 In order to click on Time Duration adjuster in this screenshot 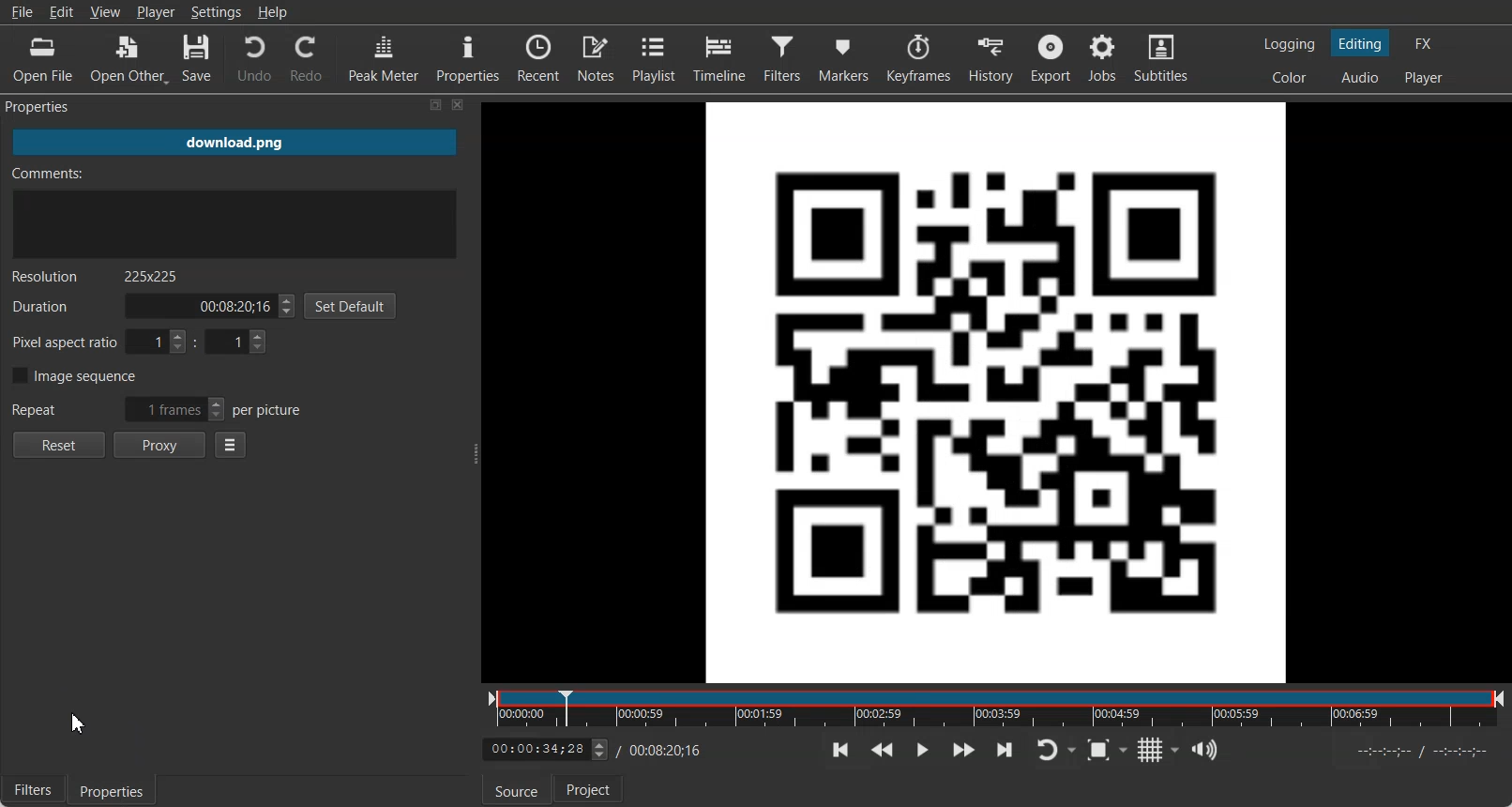, I will do `click(151, 307)`.